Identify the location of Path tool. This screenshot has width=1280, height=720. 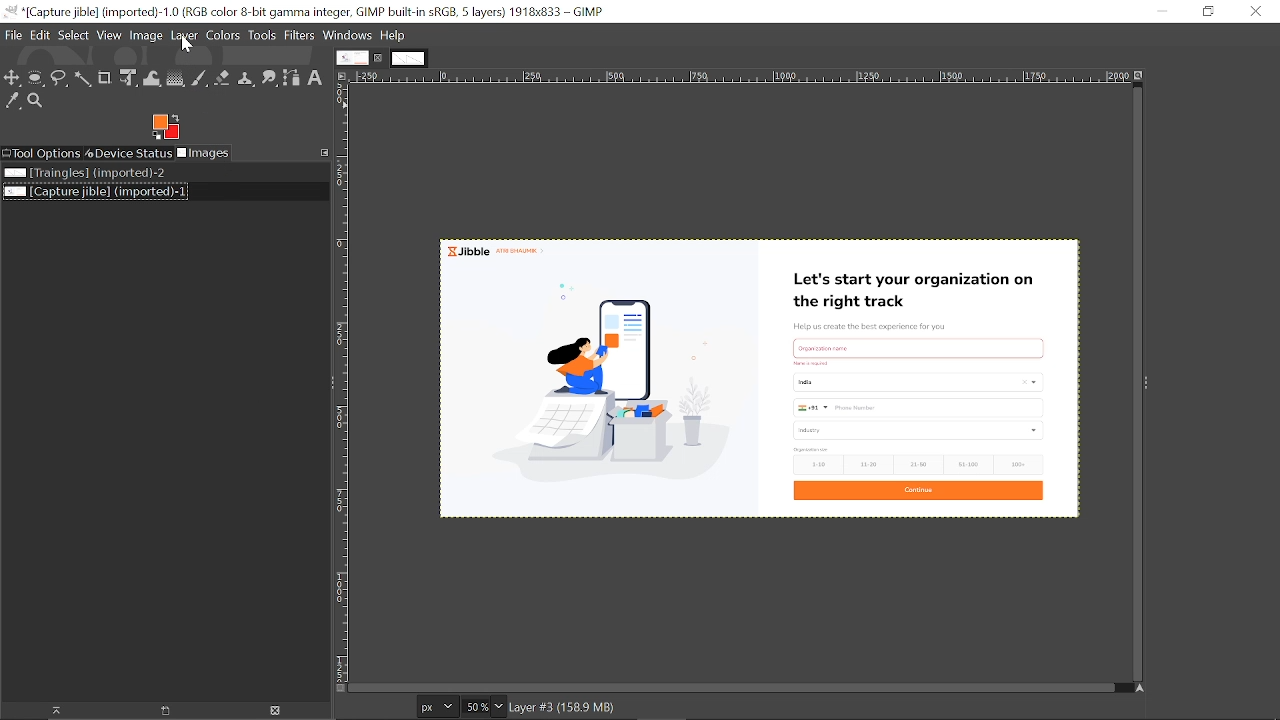
(293, 80).